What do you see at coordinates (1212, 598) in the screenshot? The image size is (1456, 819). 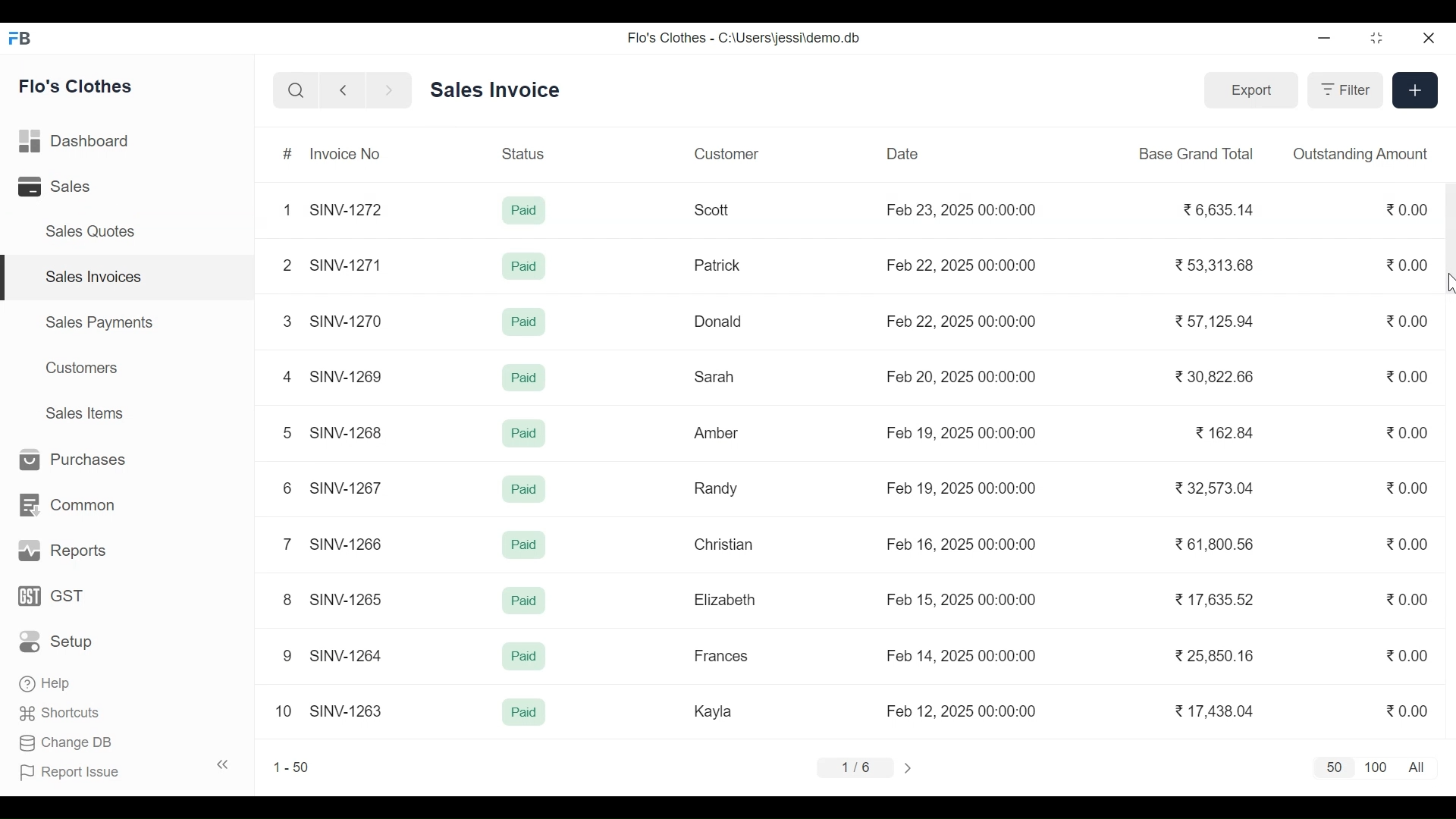 I see `17.635.52` at bounding box center [1212, 598].